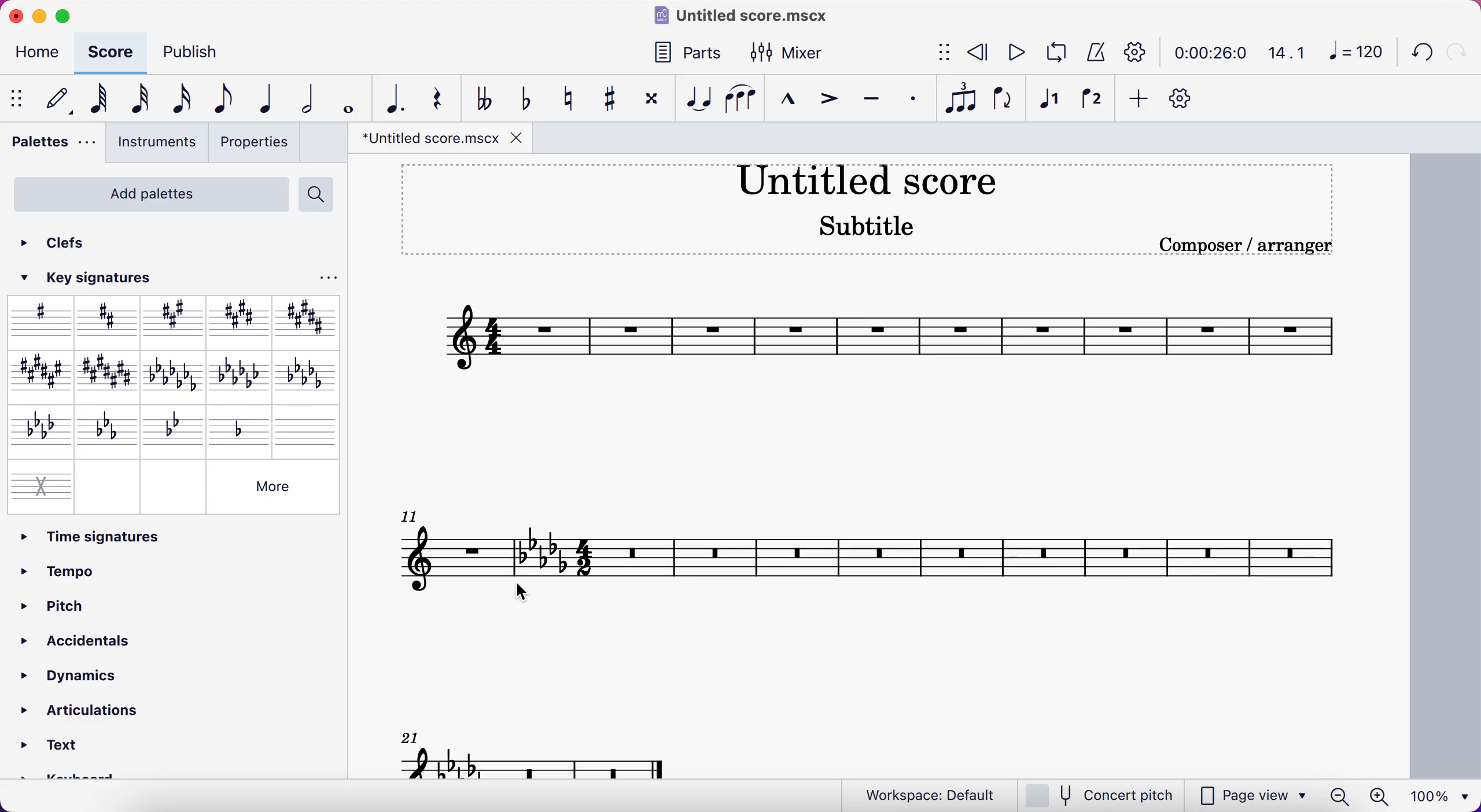 The image size is (1481, 812). Describe the element at coordinates (1053, 102) in the screenshot. I see `voice 1` at that location.